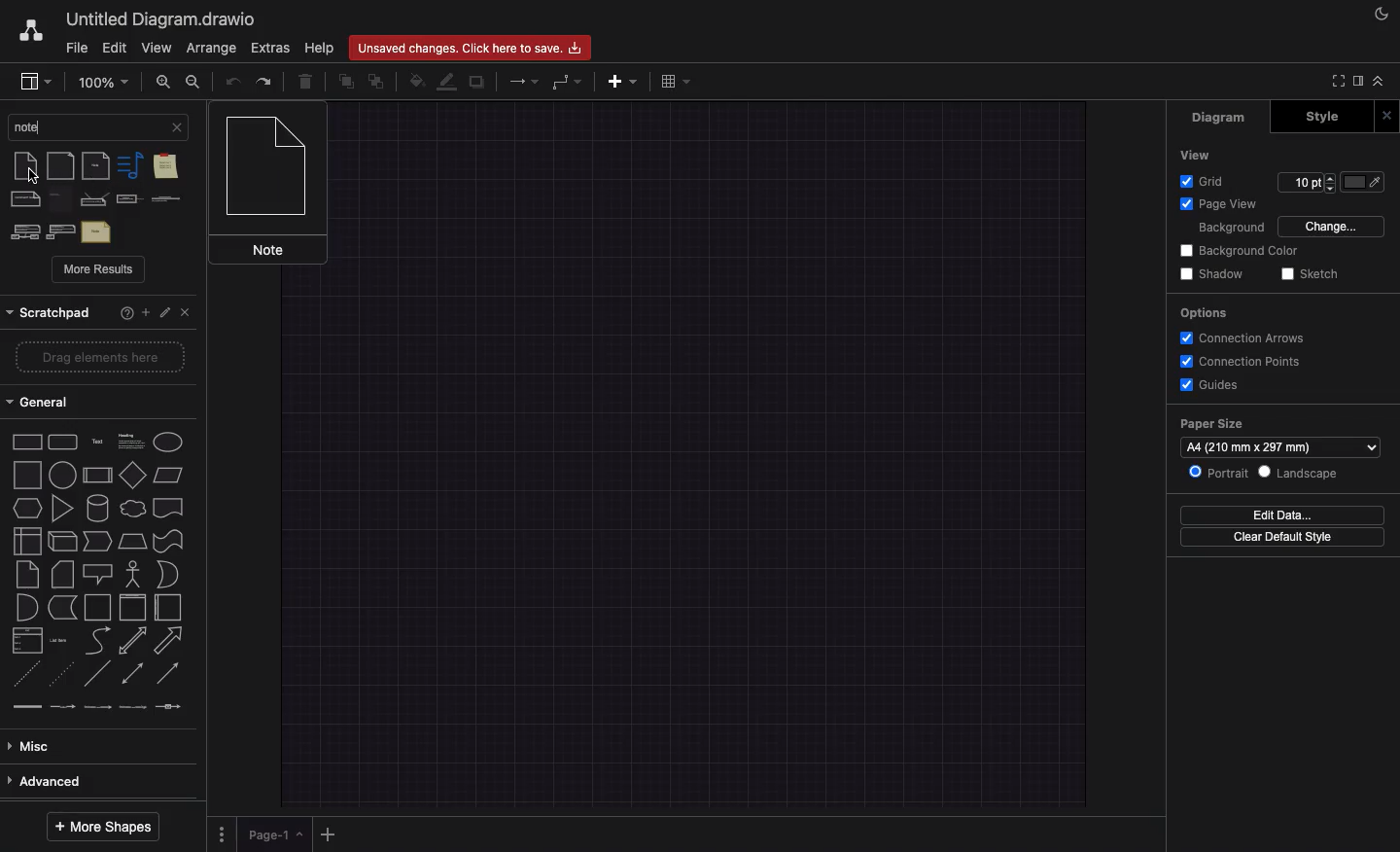  What do you see at coordinates (62, 608) in the screenshot?
I see `data storage` at bounding box center [62, 608].